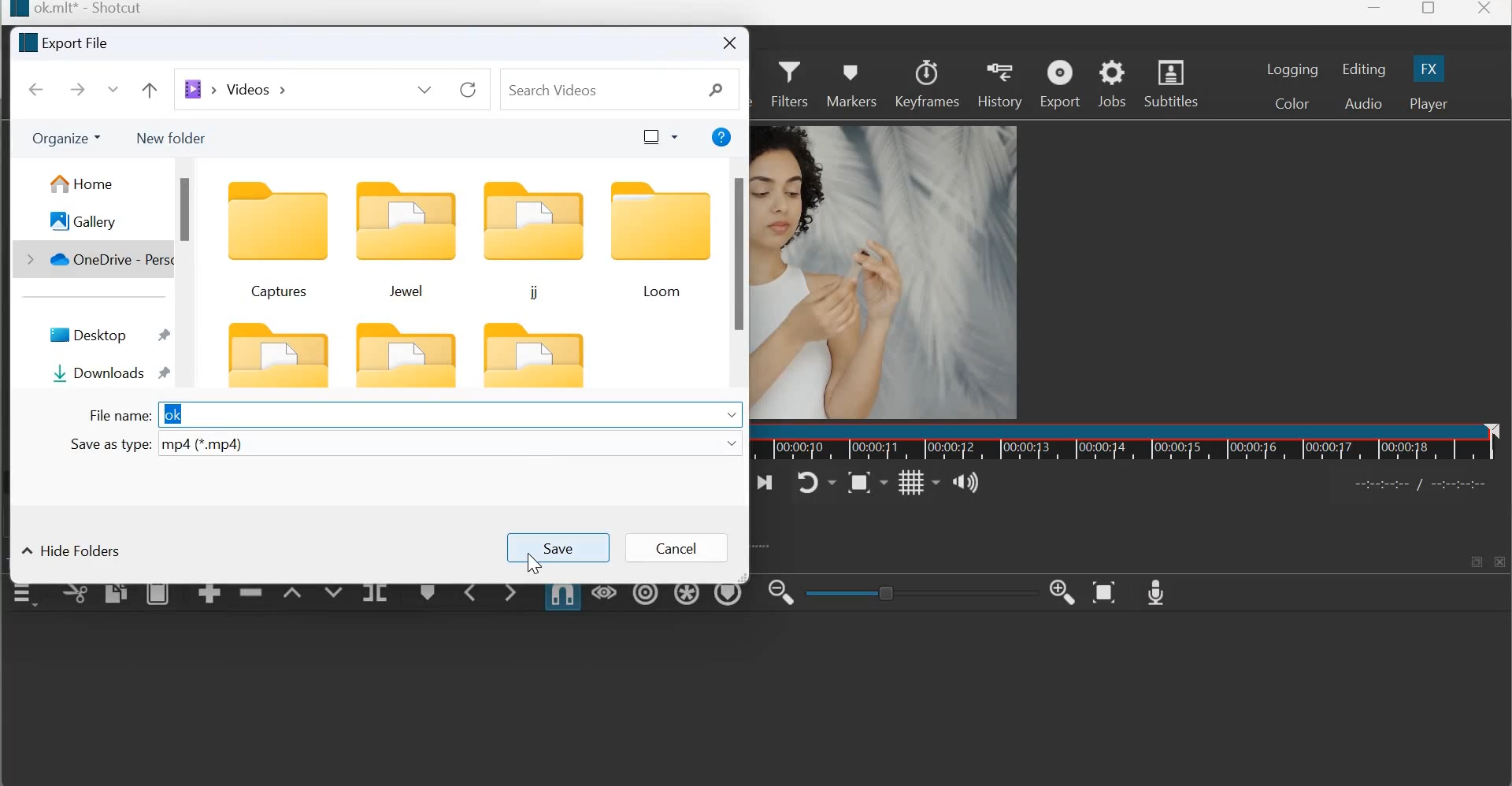 The image size is (1512, 786). Describe the element at coordinates (428, 89) in the screenshot. I see `Previous locations` at that location.